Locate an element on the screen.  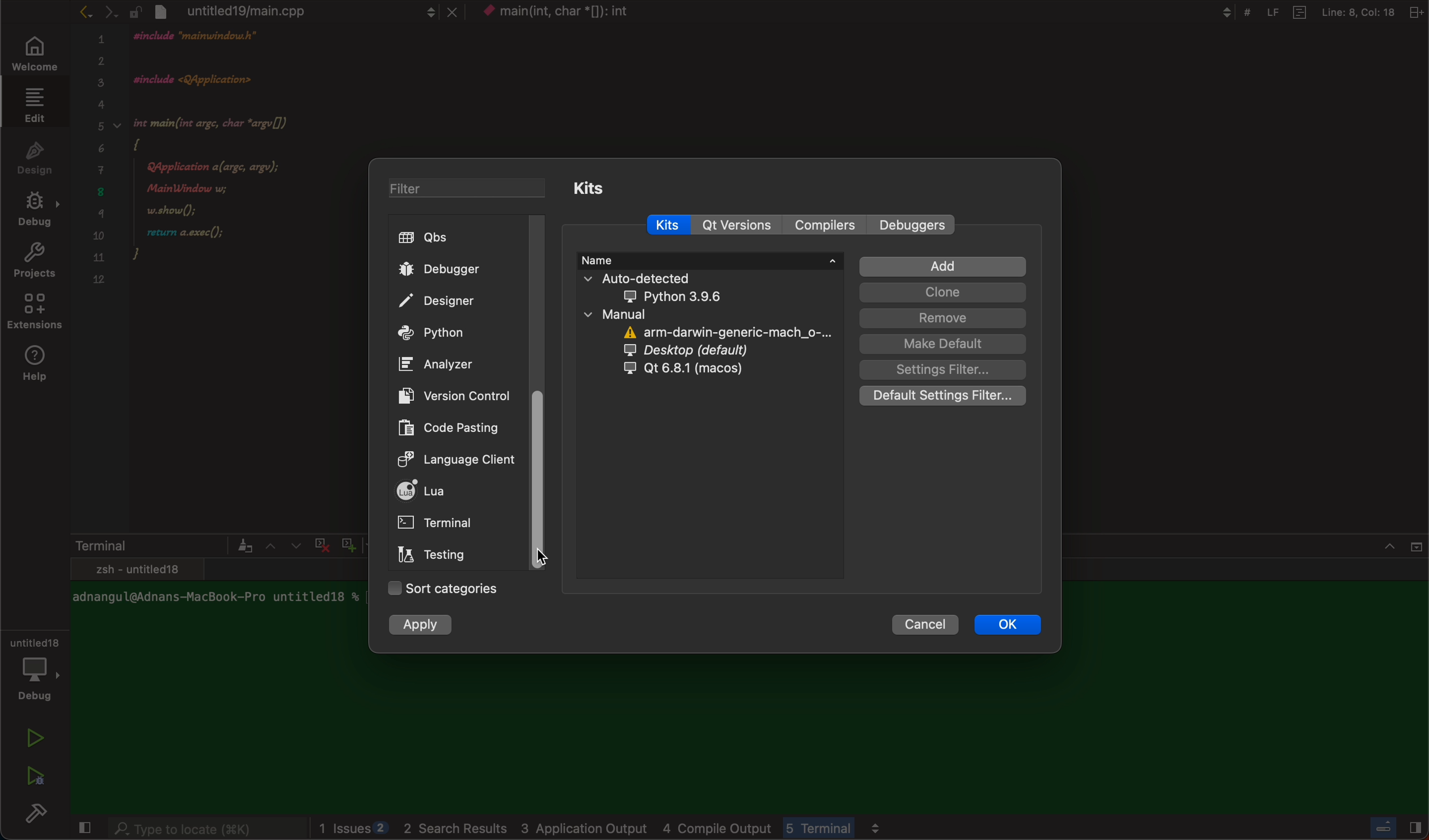
clone is located at coordinates (942, 292).